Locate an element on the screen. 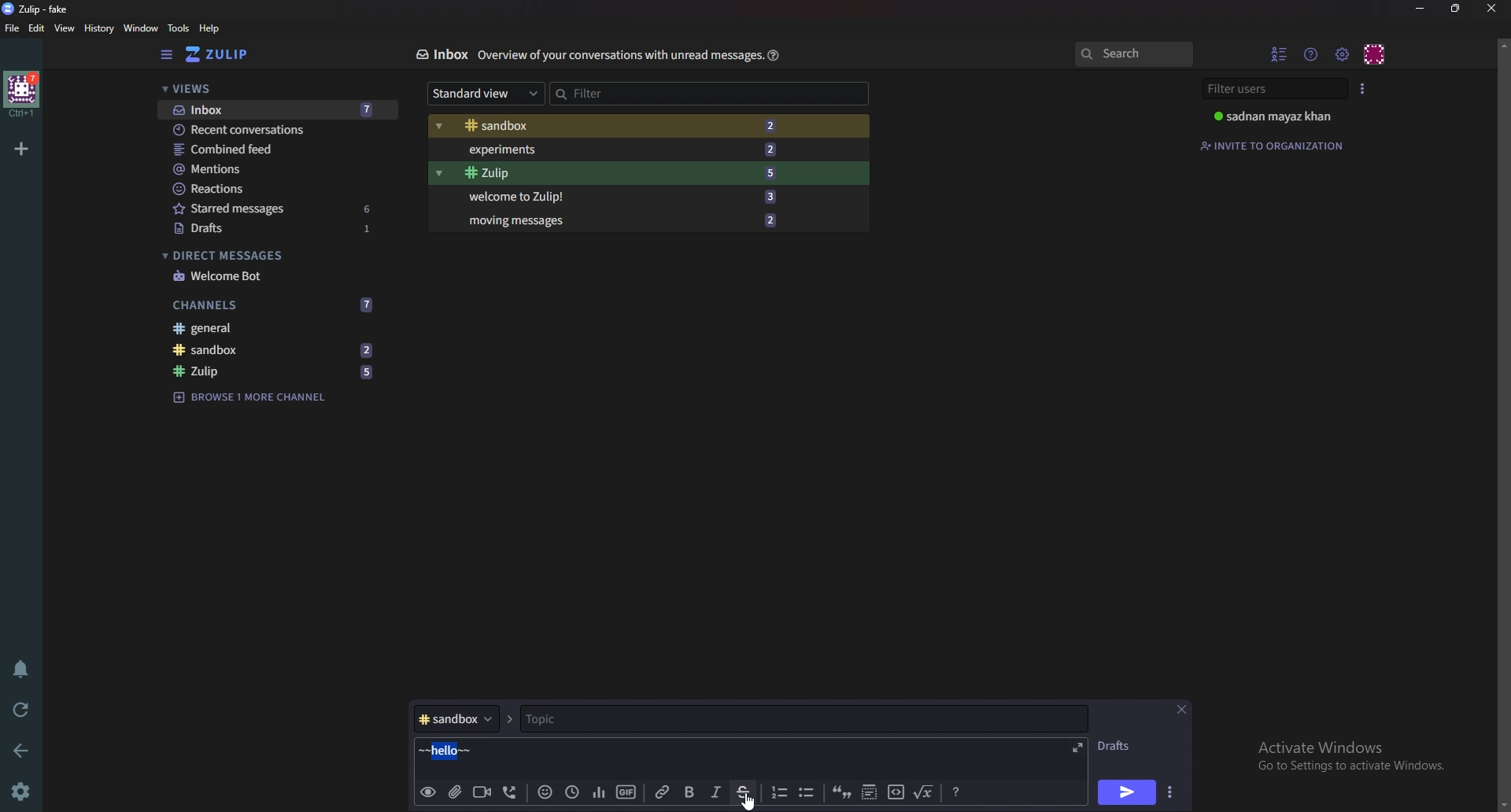 The width and height of the screenshot is (1511, 812). Mentions is located at coordinates (267, 168).